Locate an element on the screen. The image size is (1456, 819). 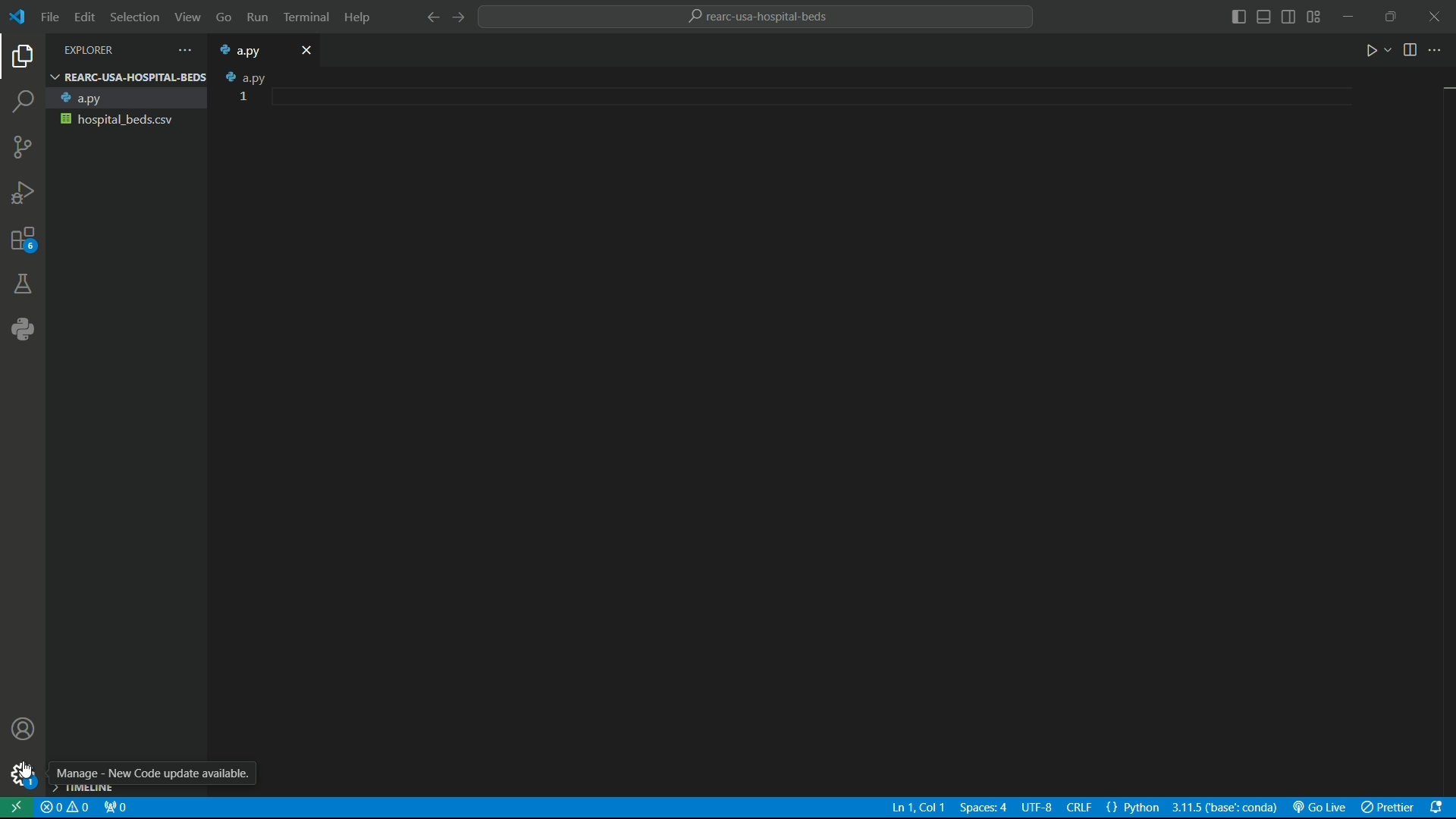
explorer is located at coordinates (24, 59).